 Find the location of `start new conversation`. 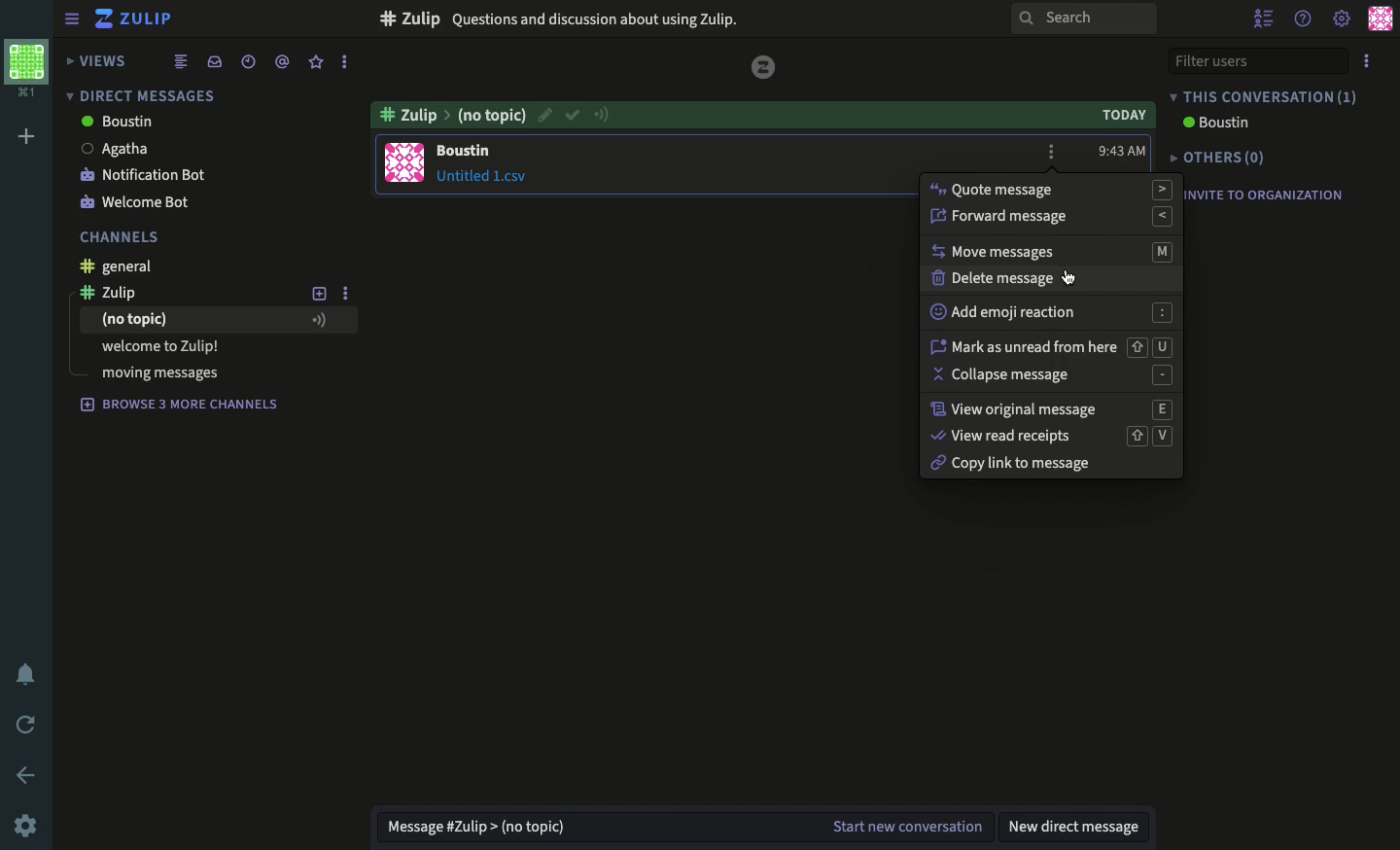

start new conversation is located at coordinates (904, 822).